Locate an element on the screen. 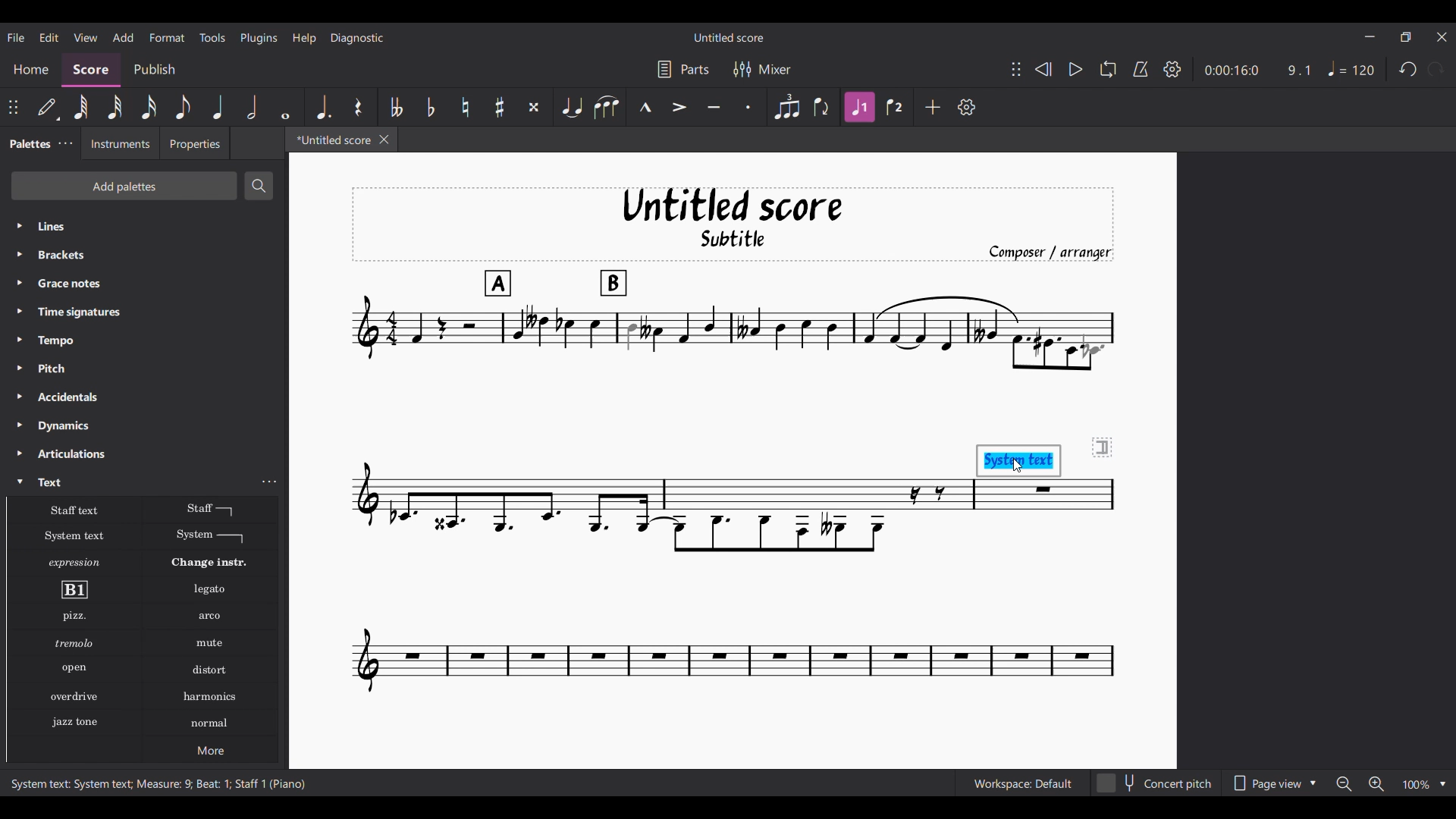 This screenshot has width=1456, height=819. Marcato is located at coordinates (645, 107).